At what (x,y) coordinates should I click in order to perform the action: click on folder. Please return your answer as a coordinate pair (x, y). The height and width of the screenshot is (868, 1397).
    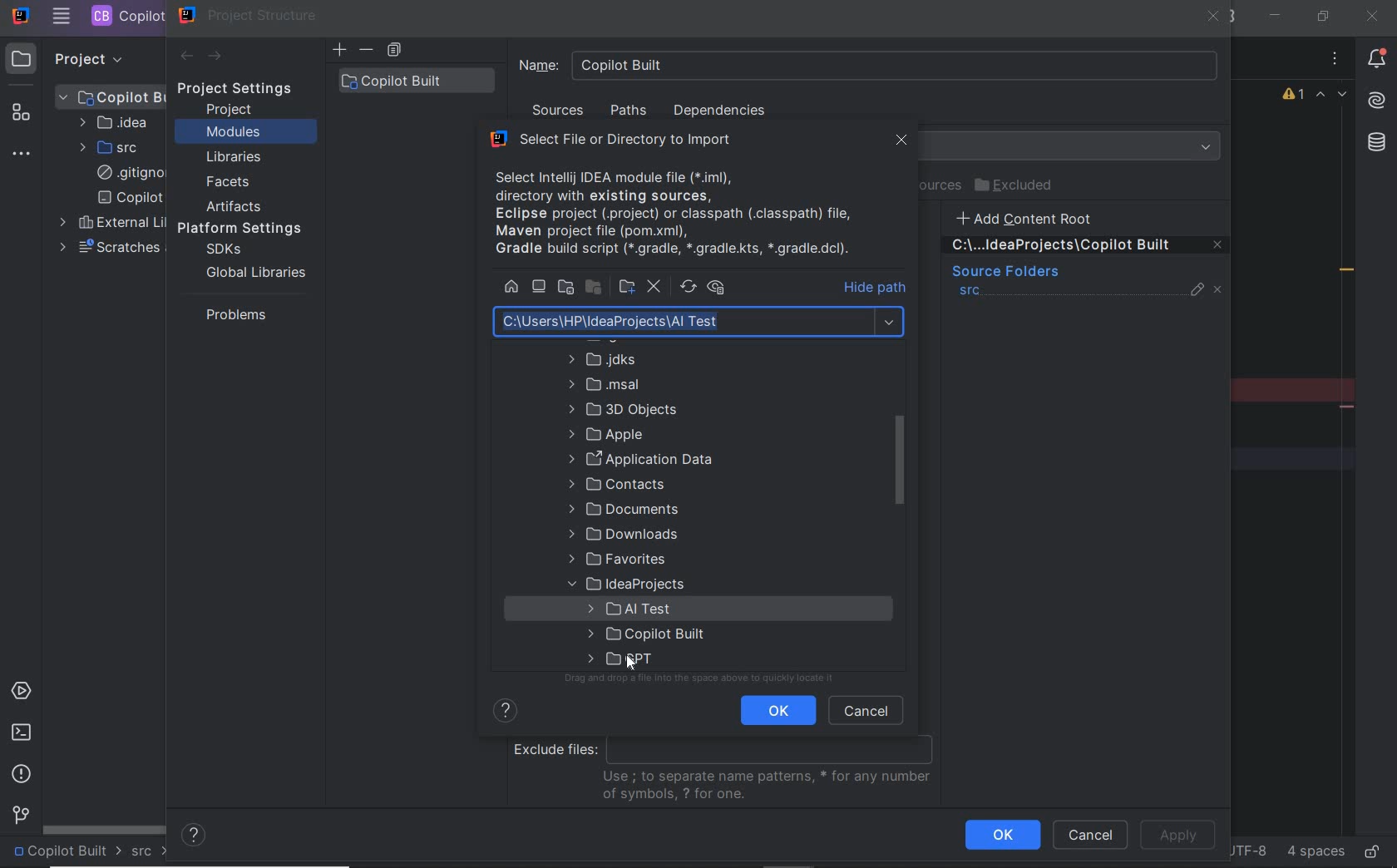
    Looking at the image, I should click on (621, 535).